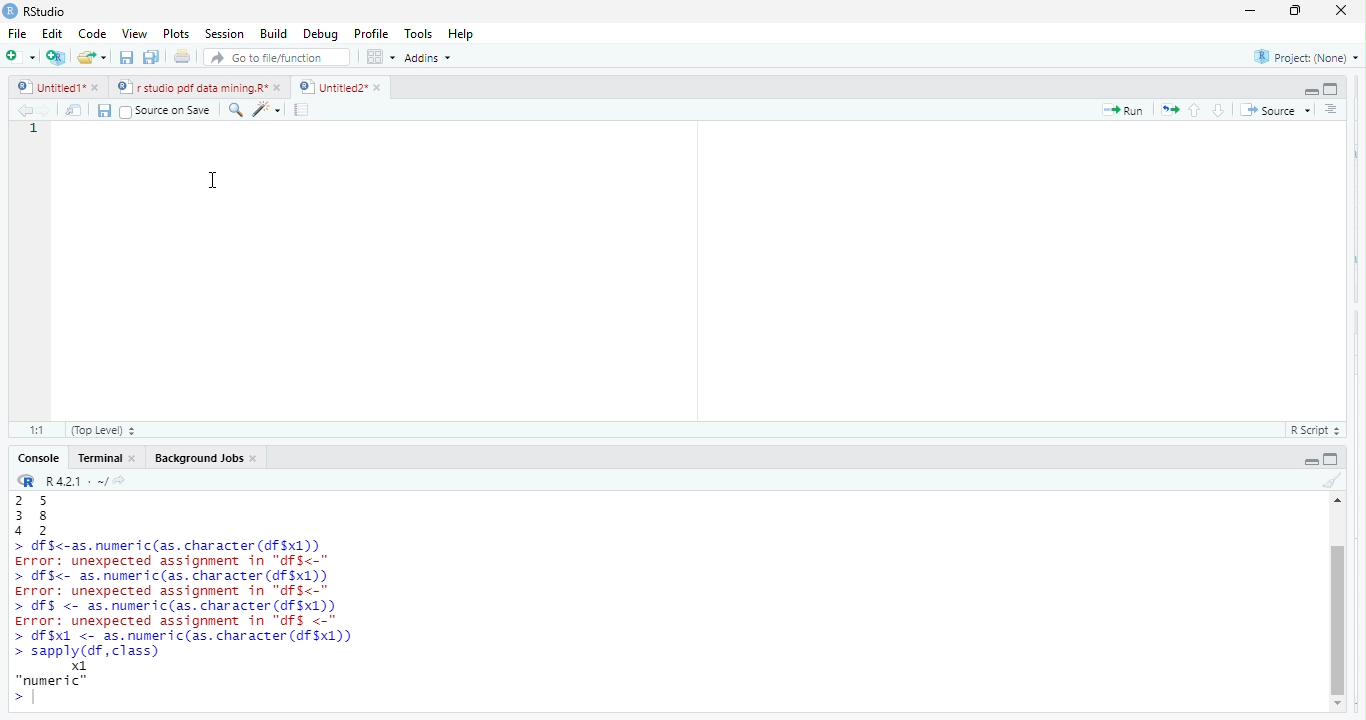 This screenshot has width=1366, height=720. Describe the element at coordinates (198, 459) in the screenshot. I see `‘Background Jobs` at that location.